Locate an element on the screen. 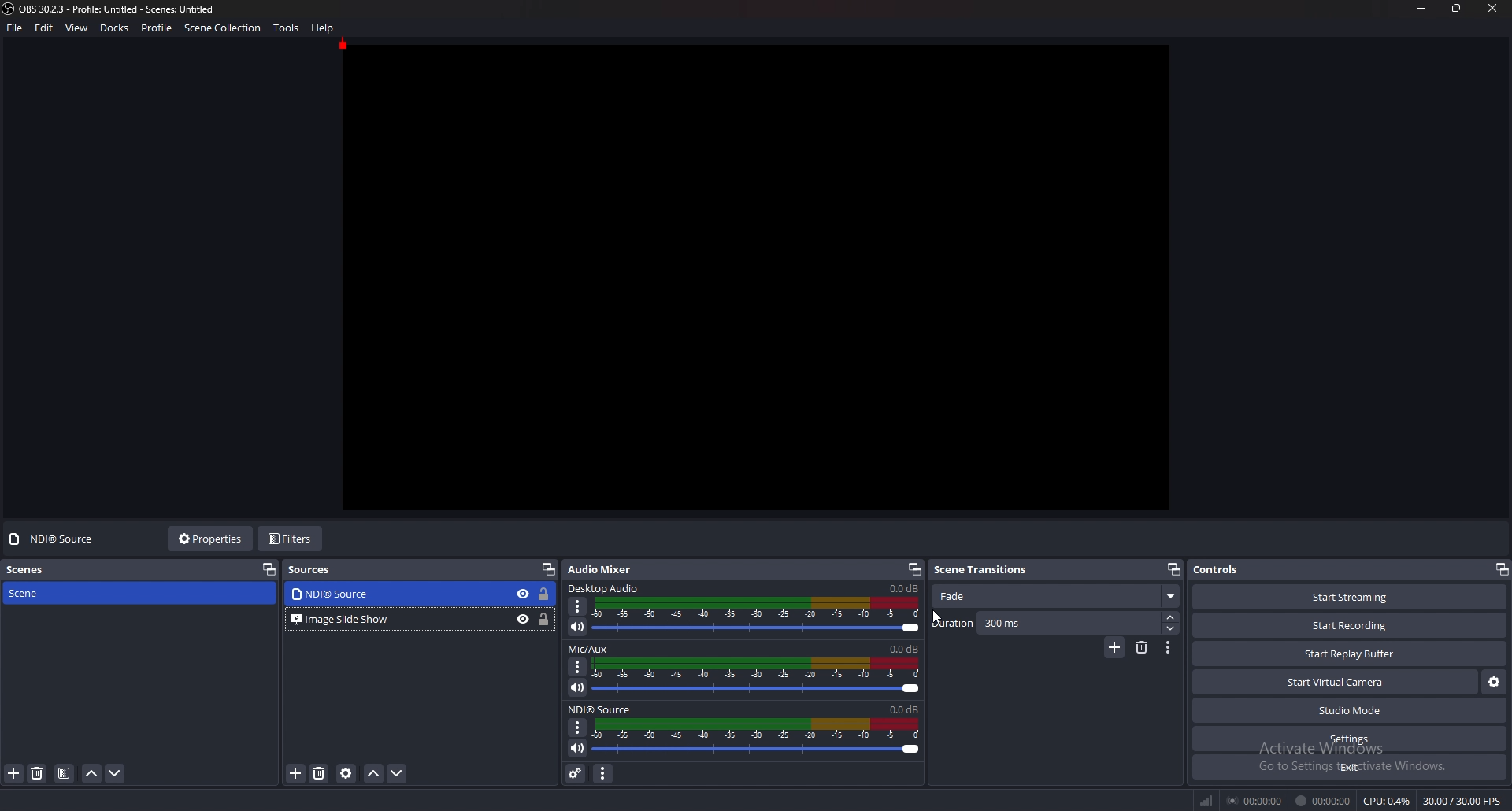  options is located at coordinates (579, 668).